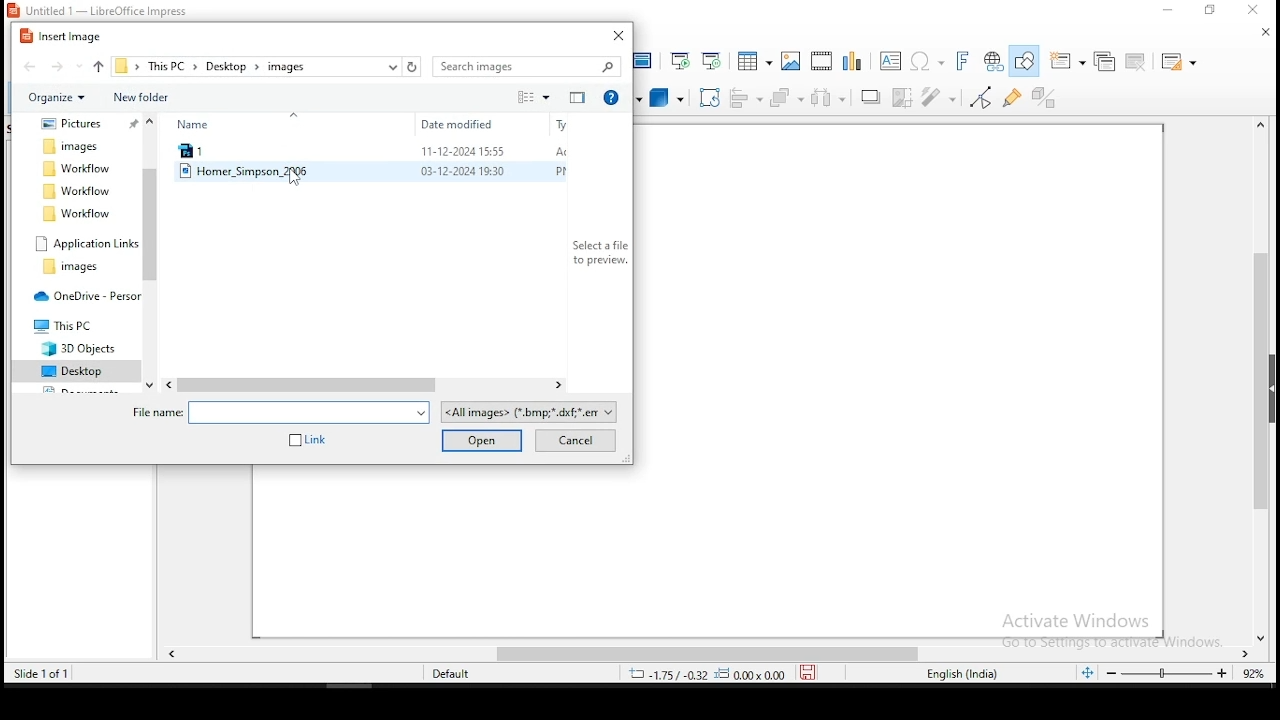 The width and height of the screenshot is (1280, 720). I want to click on back, so click(30, 66).